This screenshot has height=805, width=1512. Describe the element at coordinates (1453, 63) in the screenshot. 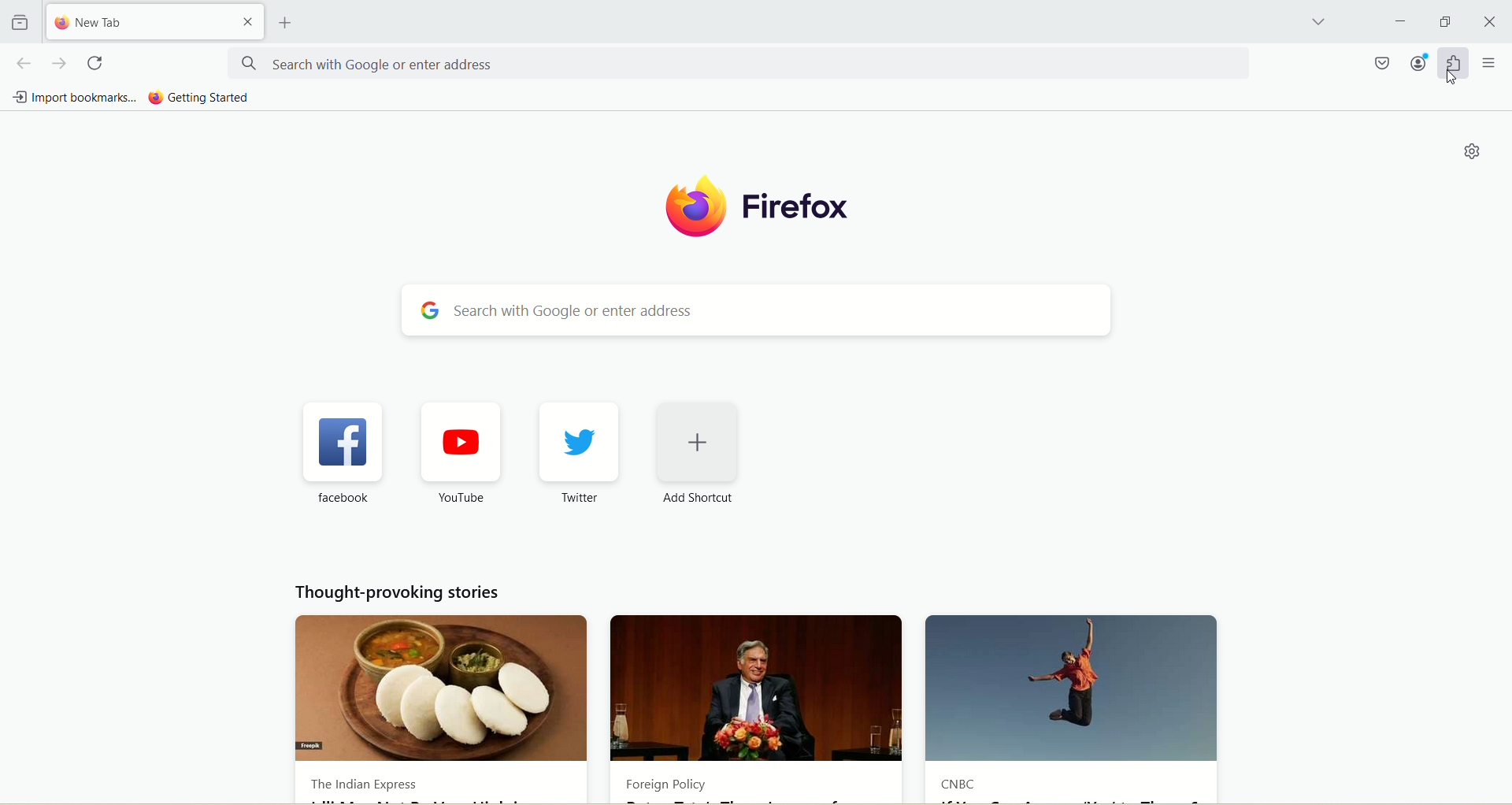

I see `Widget` at that location.